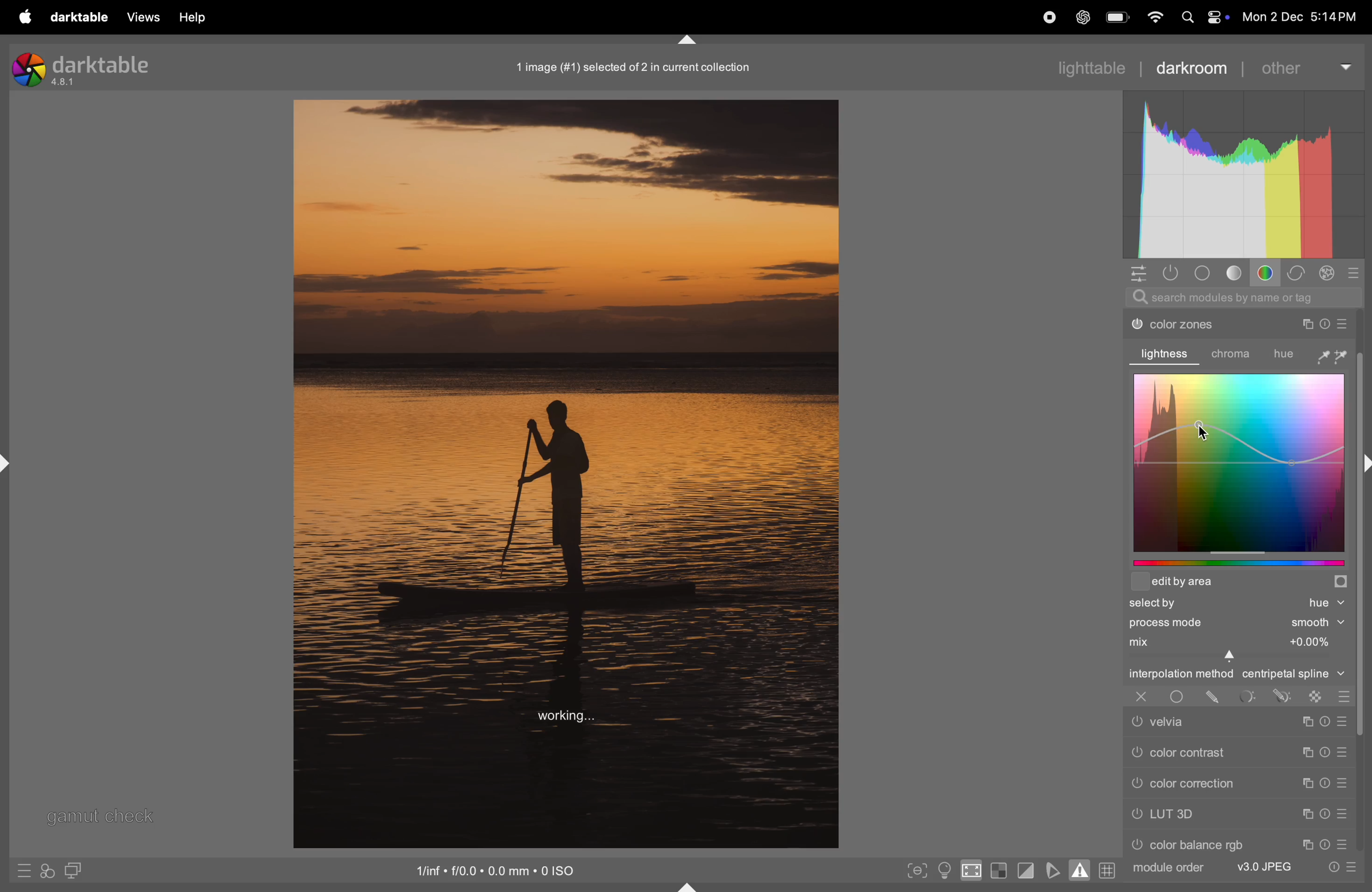  I want to click on color contrast, so click(1202, 751).